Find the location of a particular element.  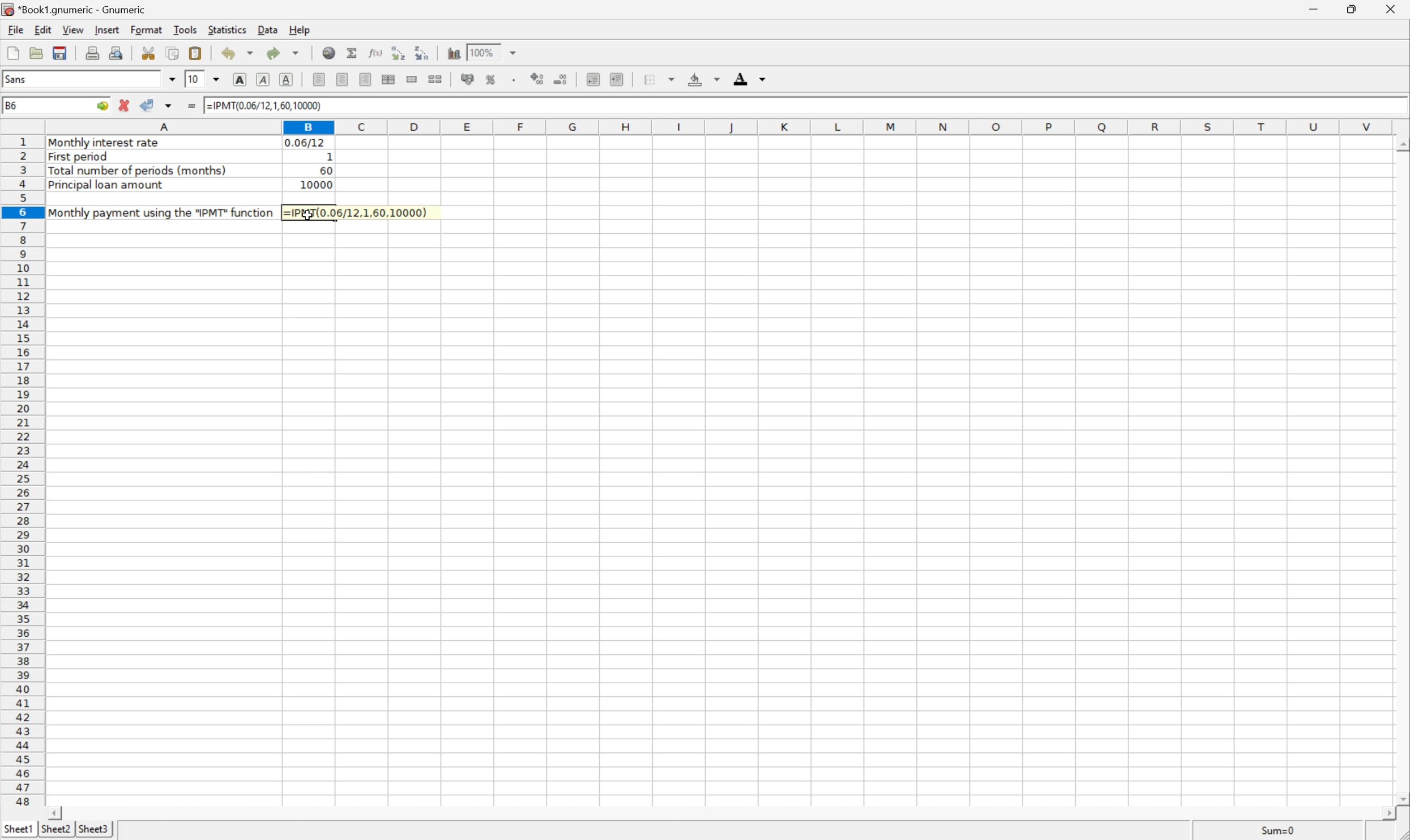

Borders is located at coordinates (657, 79).